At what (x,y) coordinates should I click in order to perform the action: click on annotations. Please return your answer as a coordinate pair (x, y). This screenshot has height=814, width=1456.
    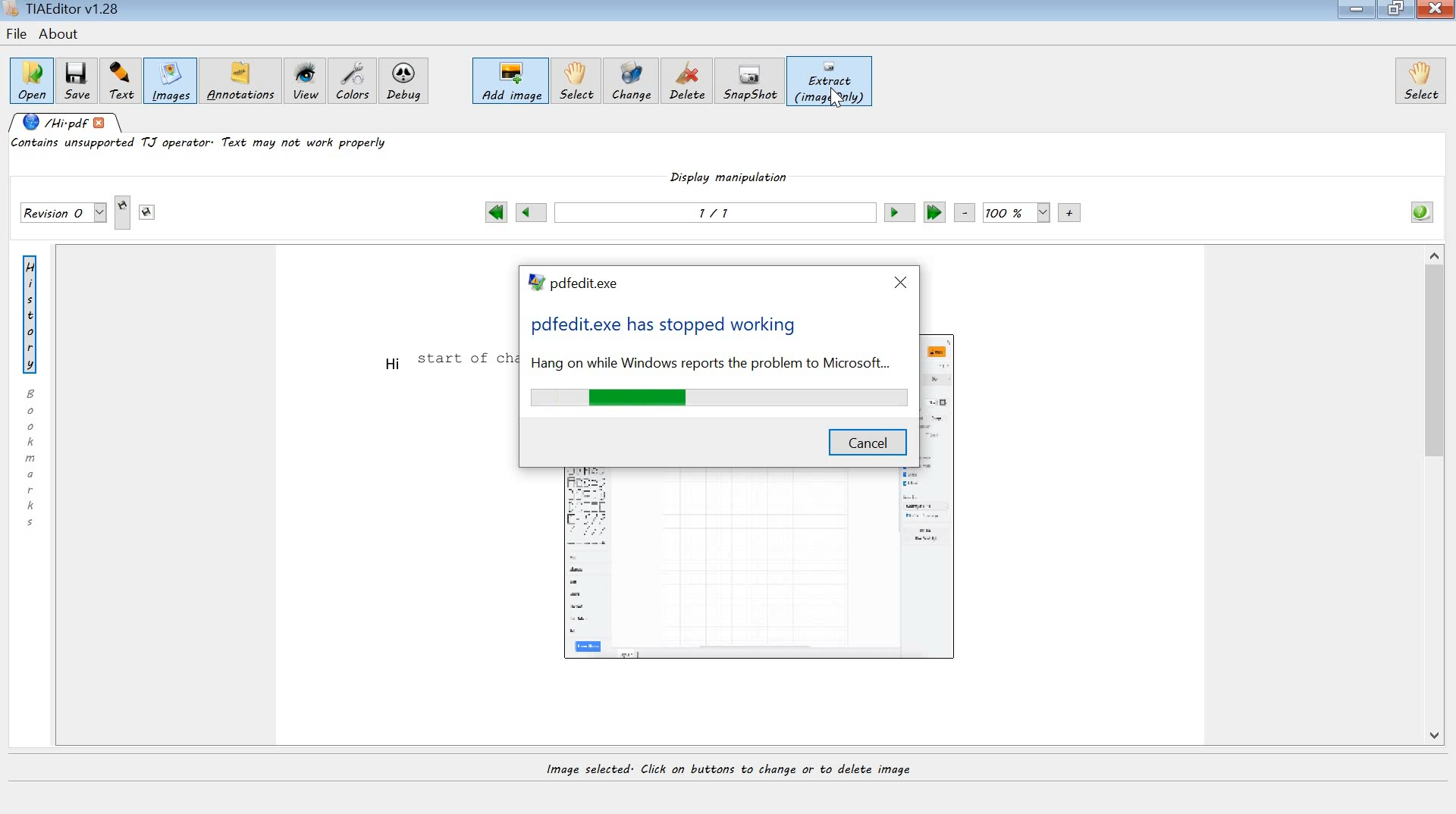
    Looking at the image, I should click on (243, 83).